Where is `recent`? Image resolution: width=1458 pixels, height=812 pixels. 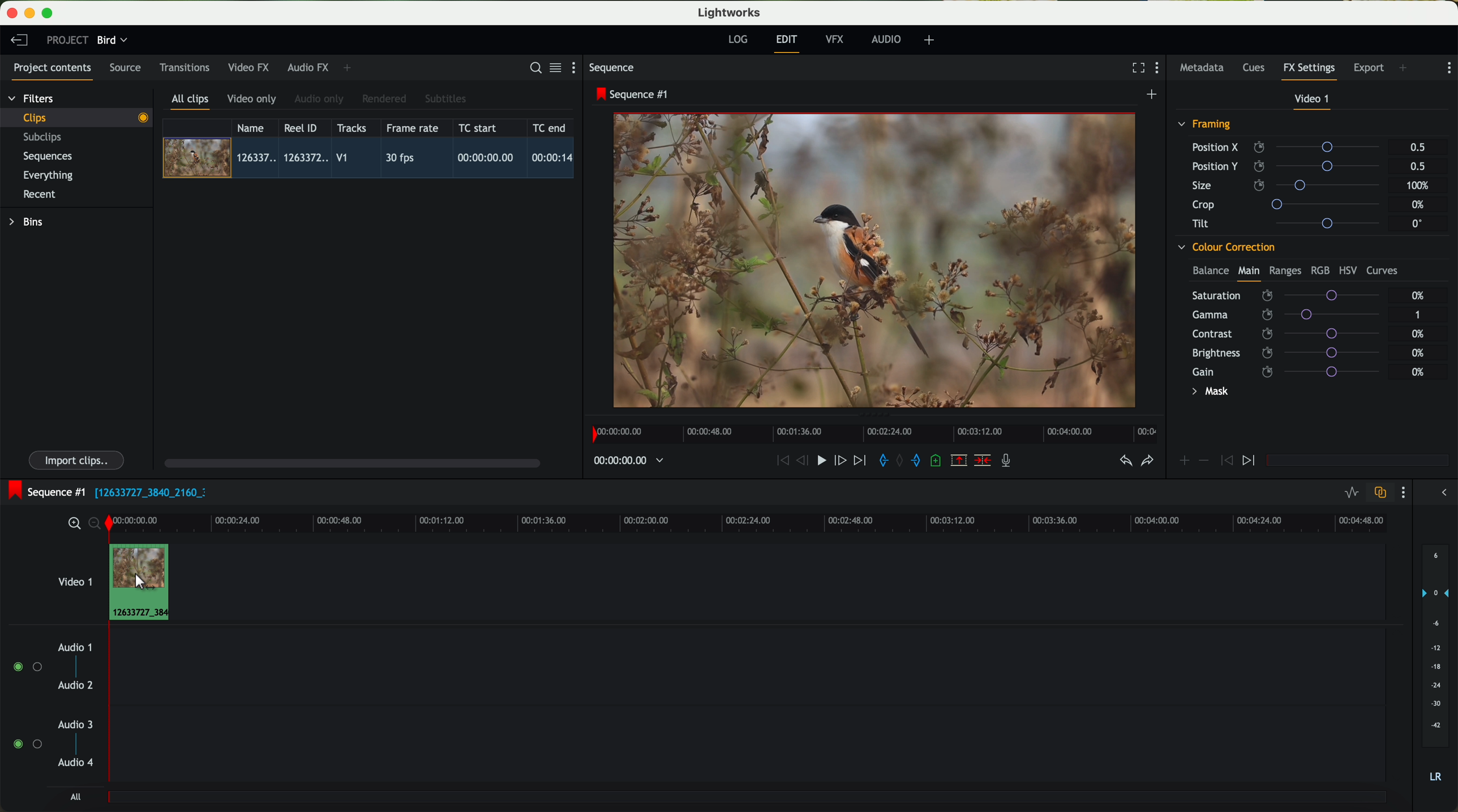 recent is located at coordinates (40, 196).